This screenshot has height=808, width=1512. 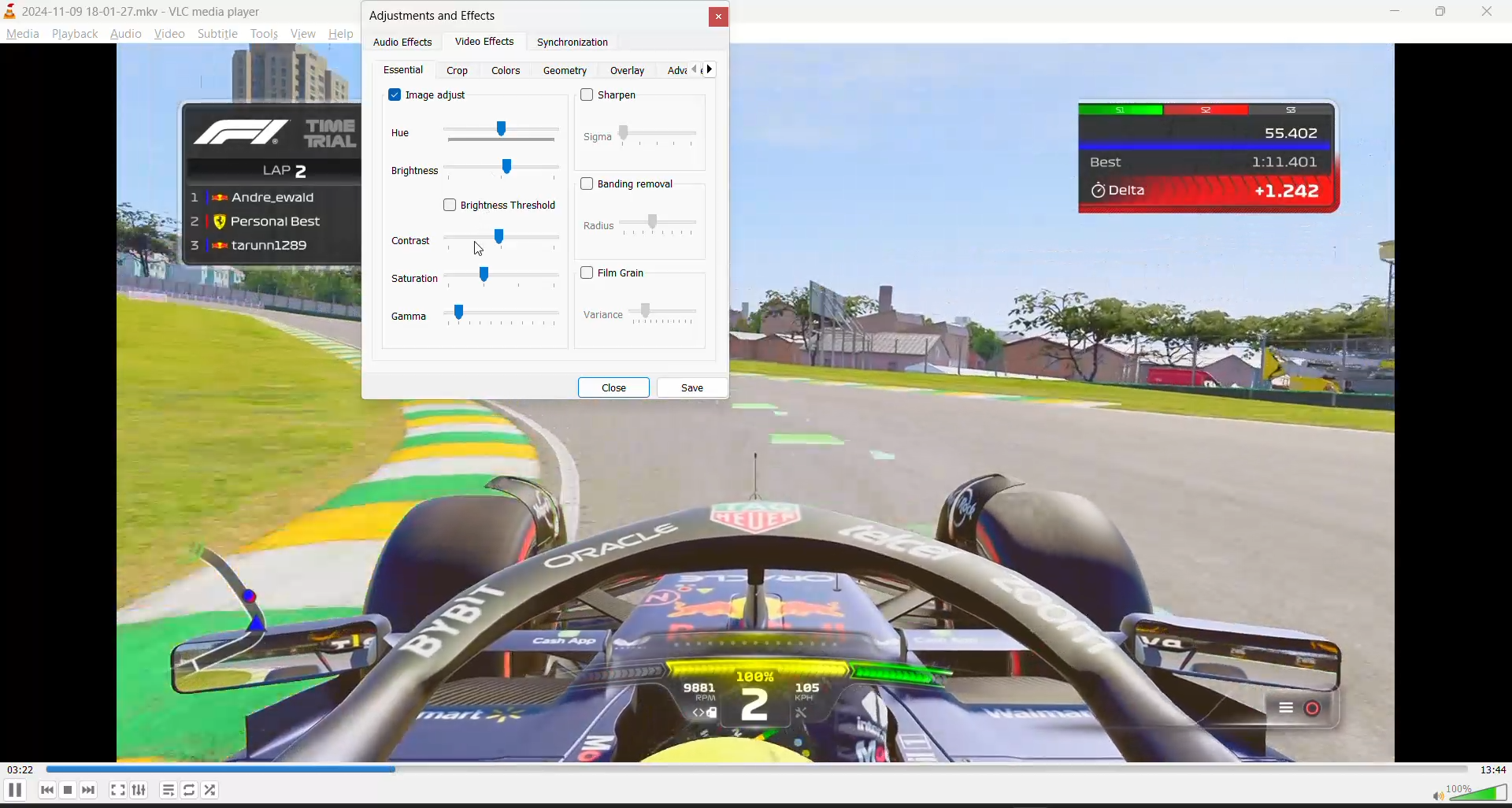 What do you see at coordinates (613, 96) in the screenshot?
I see `sharpen` at bounding box center [613, 96].